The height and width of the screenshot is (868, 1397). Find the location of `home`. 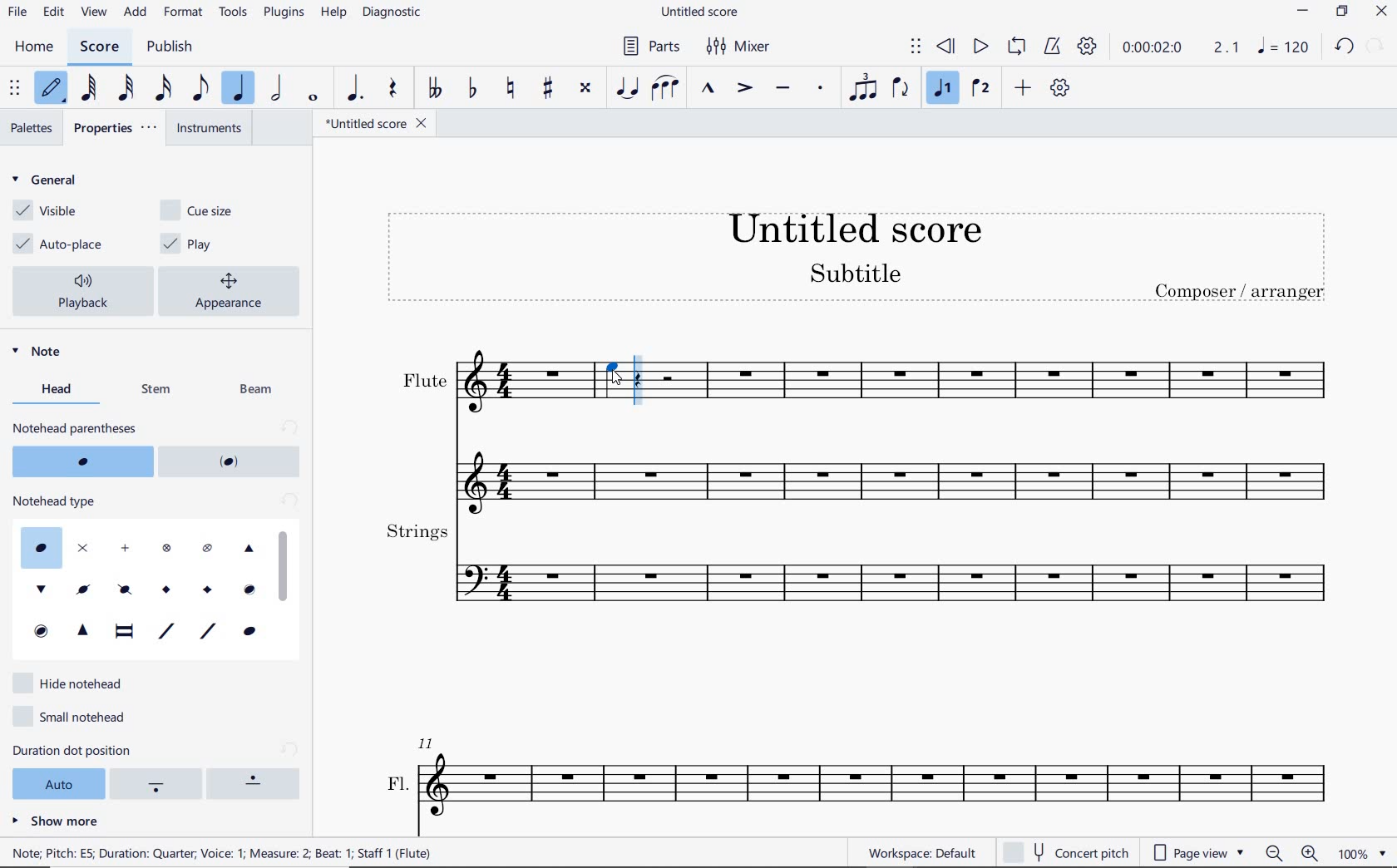

home is located at coordinates (35, 47).